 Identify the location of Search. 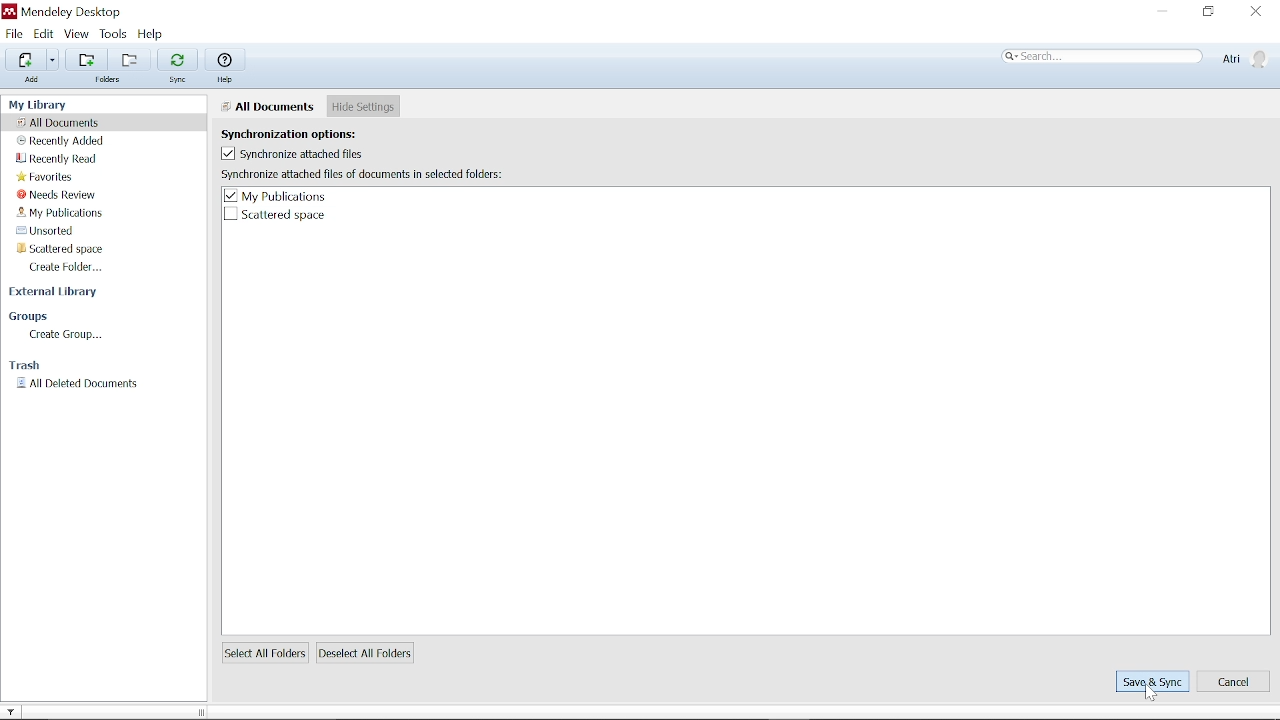
(1103, 57).